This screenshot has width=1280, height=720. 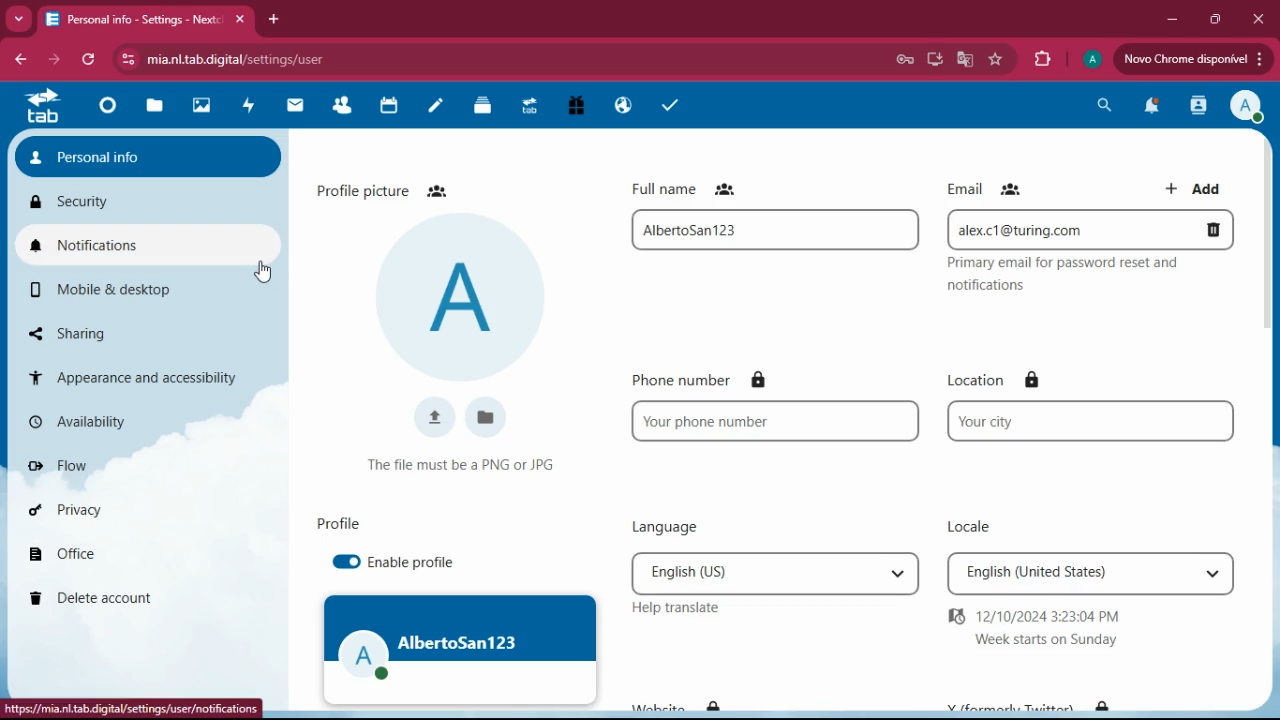 I want to click on images, so click(x=201, y=107).